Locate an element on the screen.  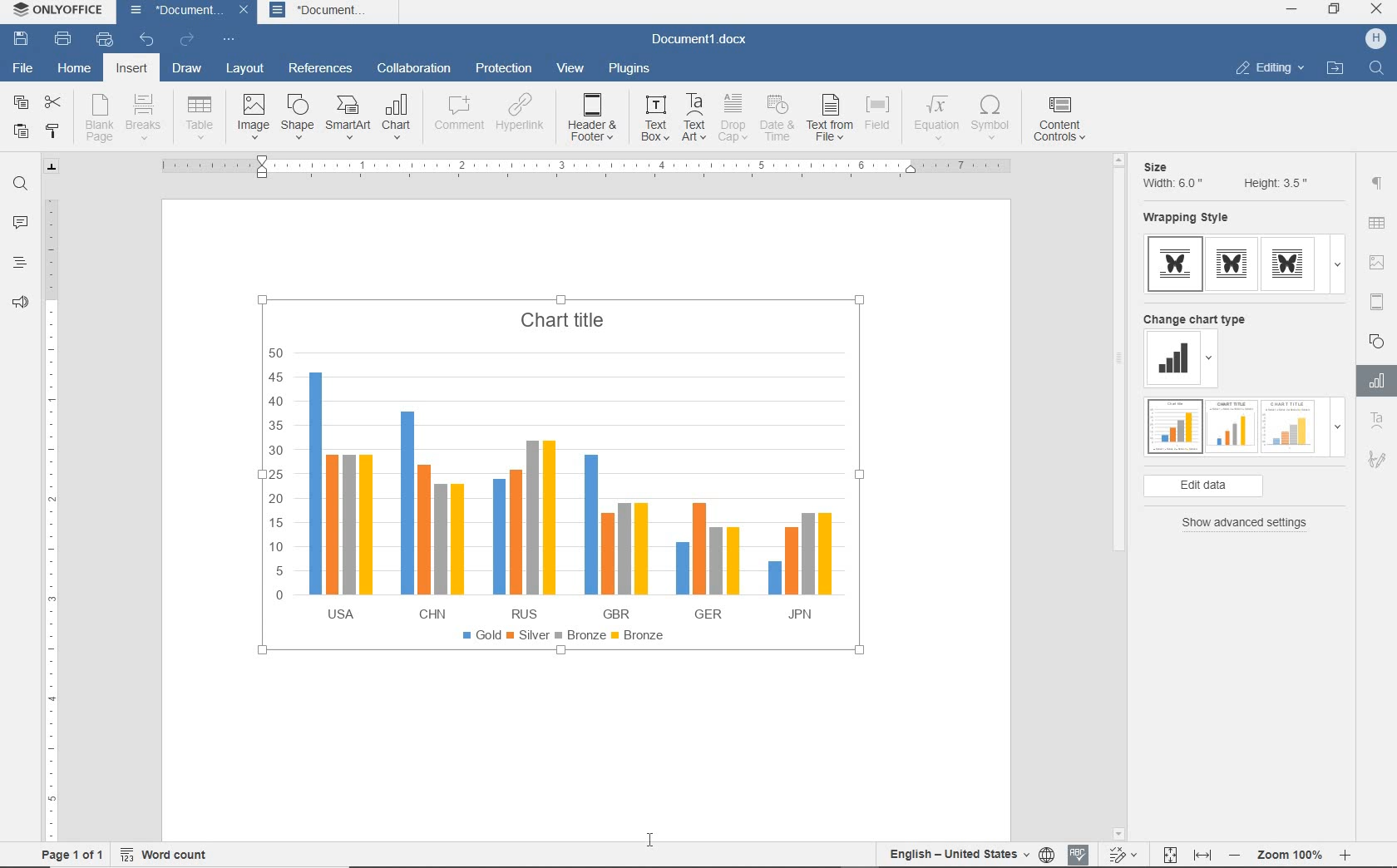
track changes is located at coordinates (1126, 852).